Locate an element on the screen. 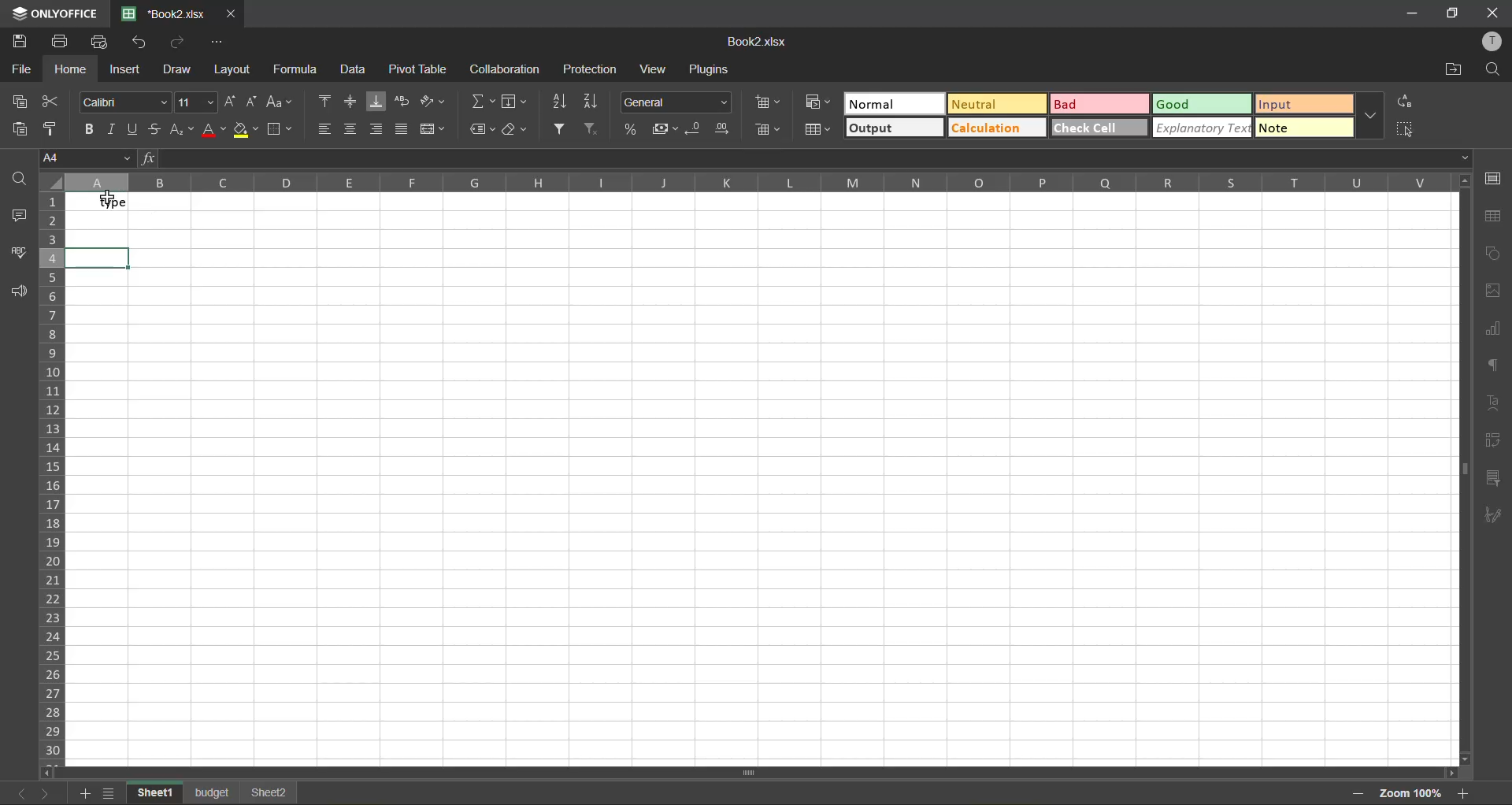 Image resolution: width=1512 pixels, height=805 pixels. move left is located at coordinates (54, 771).